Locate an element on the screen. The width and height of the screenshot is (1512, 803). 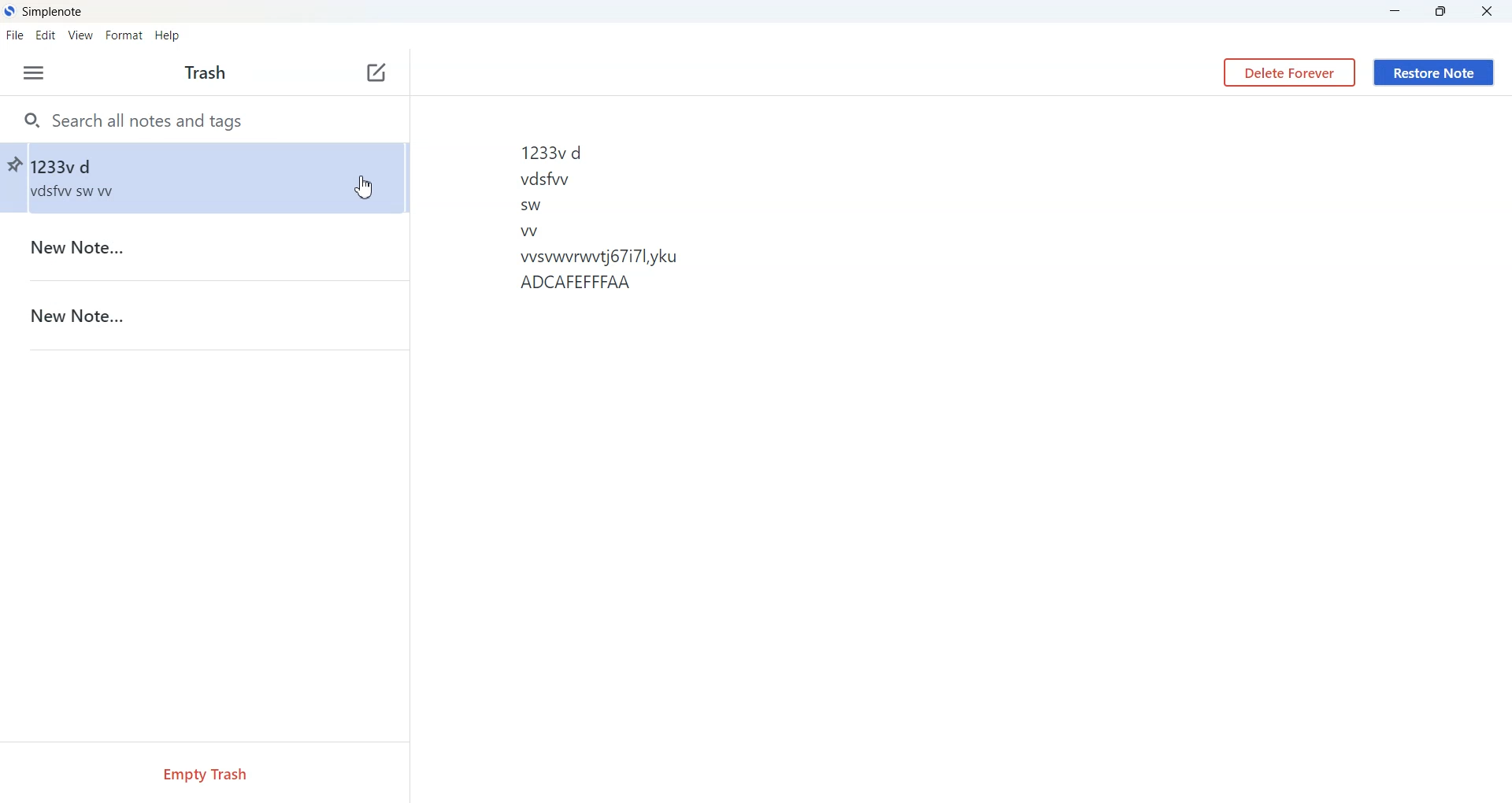
sw is located at coordinates (532, 206).